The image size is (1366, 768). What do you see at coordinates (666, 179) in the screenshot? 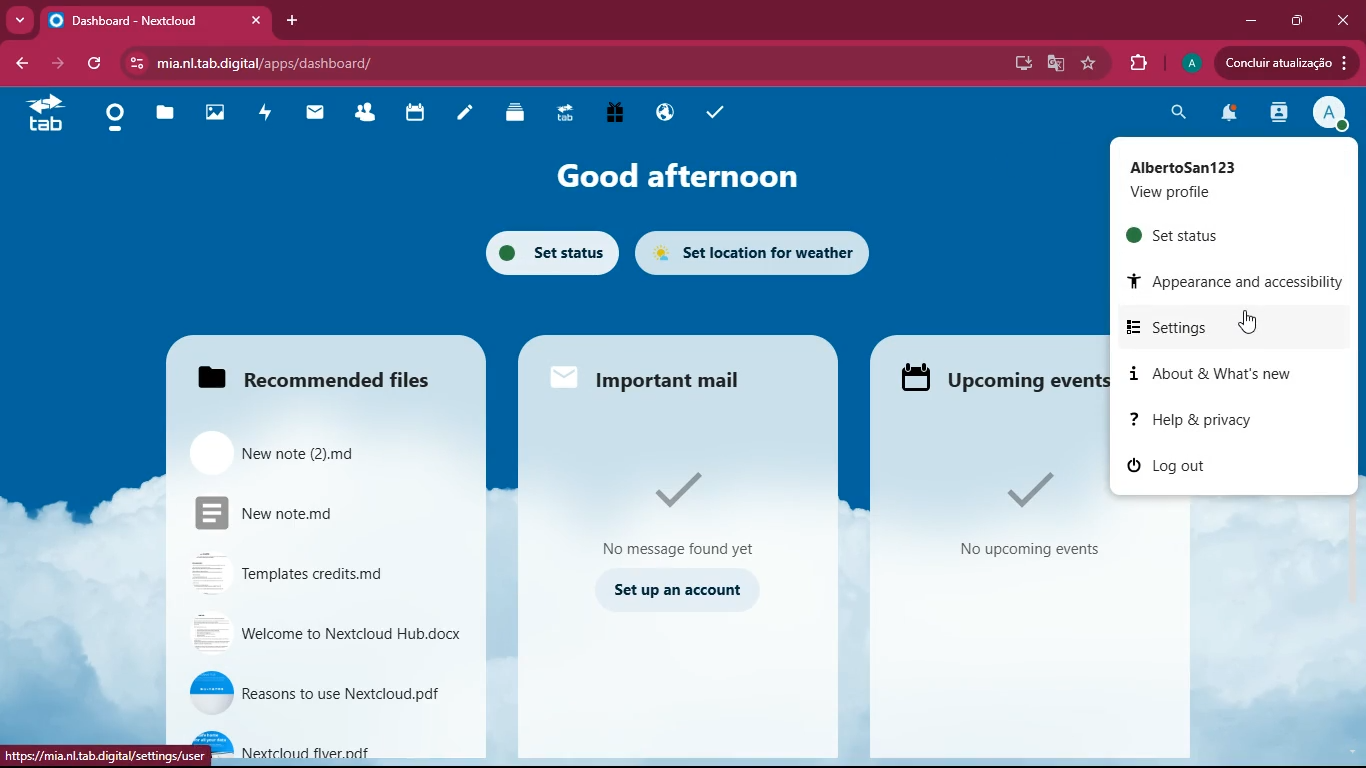
I see `good afternoon` at bounding box center [666, 179].